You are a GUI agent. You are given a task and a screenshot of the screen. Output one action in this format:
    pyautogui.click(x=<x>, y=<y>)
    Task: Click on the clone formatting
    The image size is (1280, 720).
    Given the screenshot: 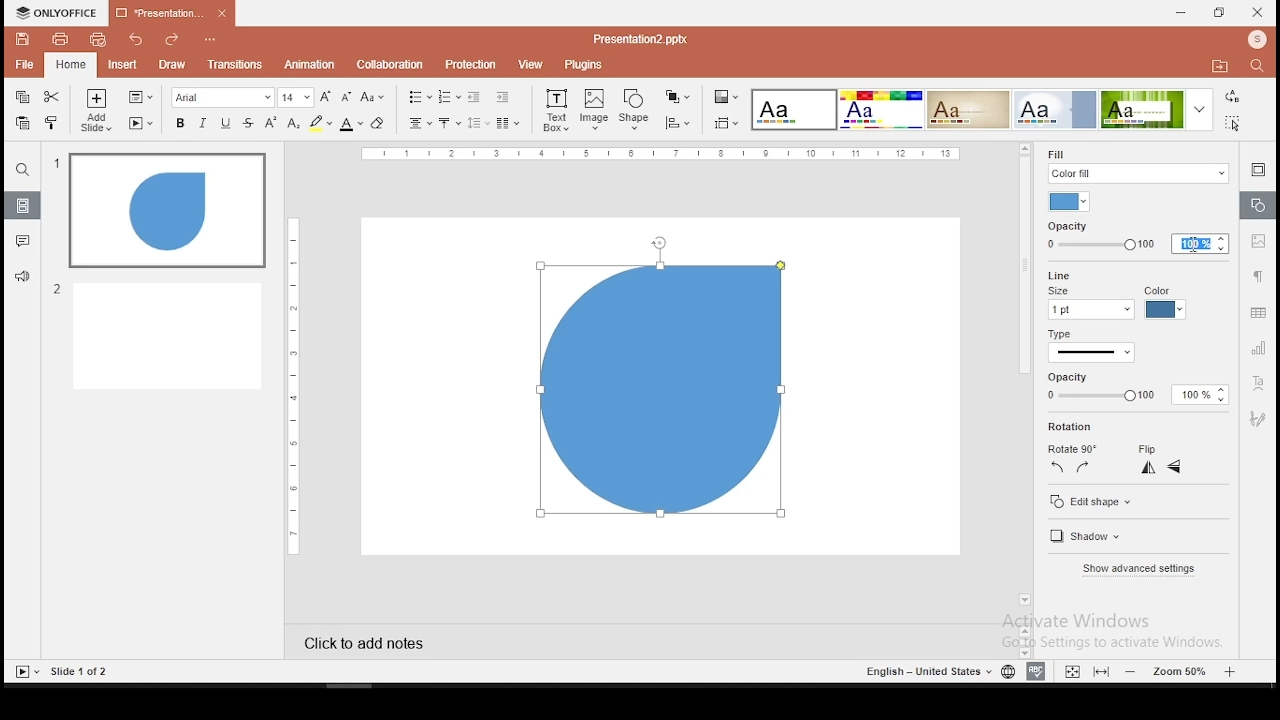 What is the action you would take?
    pyautogui.click(x=52, y=121)
    